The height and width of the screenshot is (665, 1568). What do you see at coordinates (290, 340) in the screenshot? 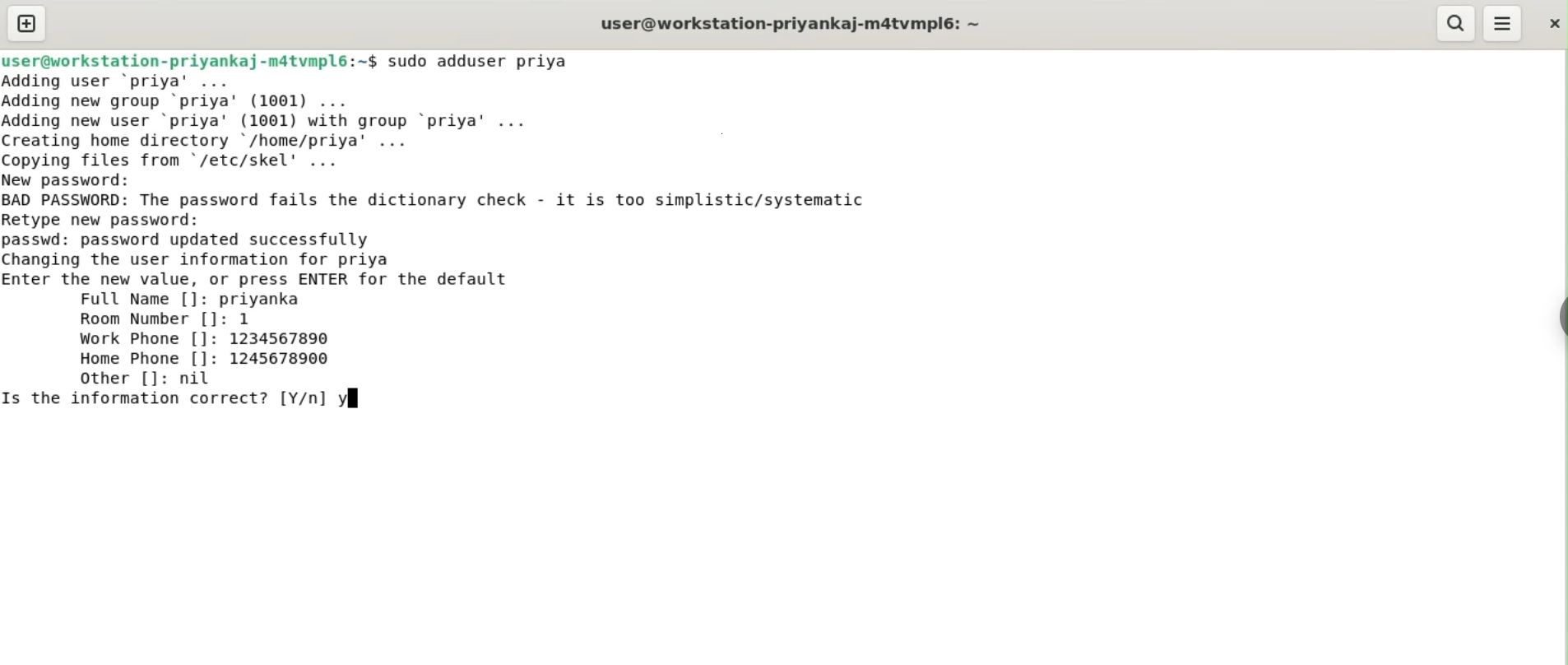
I see `1234567890` at bounding box center [290, 340].